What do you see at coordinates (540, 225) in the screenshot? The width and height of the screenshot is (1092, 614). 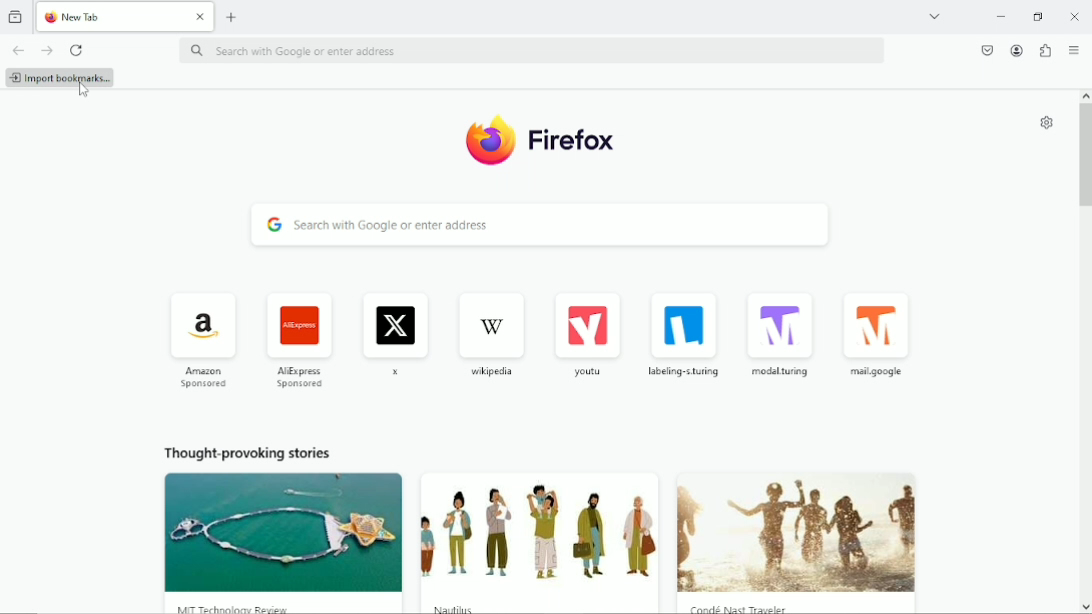 I see `Search bar` at bounding box center [540, 225].